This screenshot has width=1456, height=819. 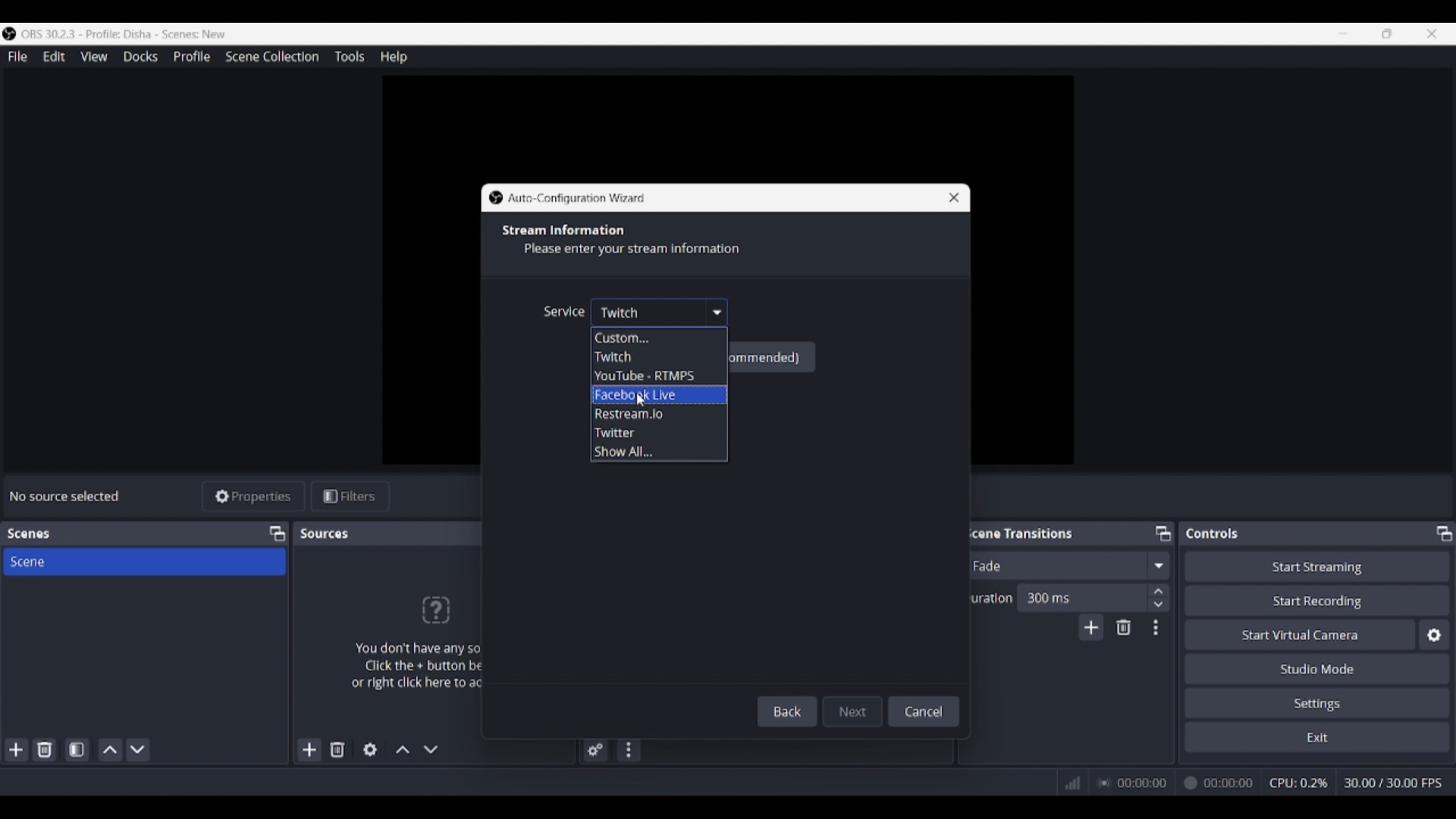 I want to click on View menu, so click(x=94, y=56).